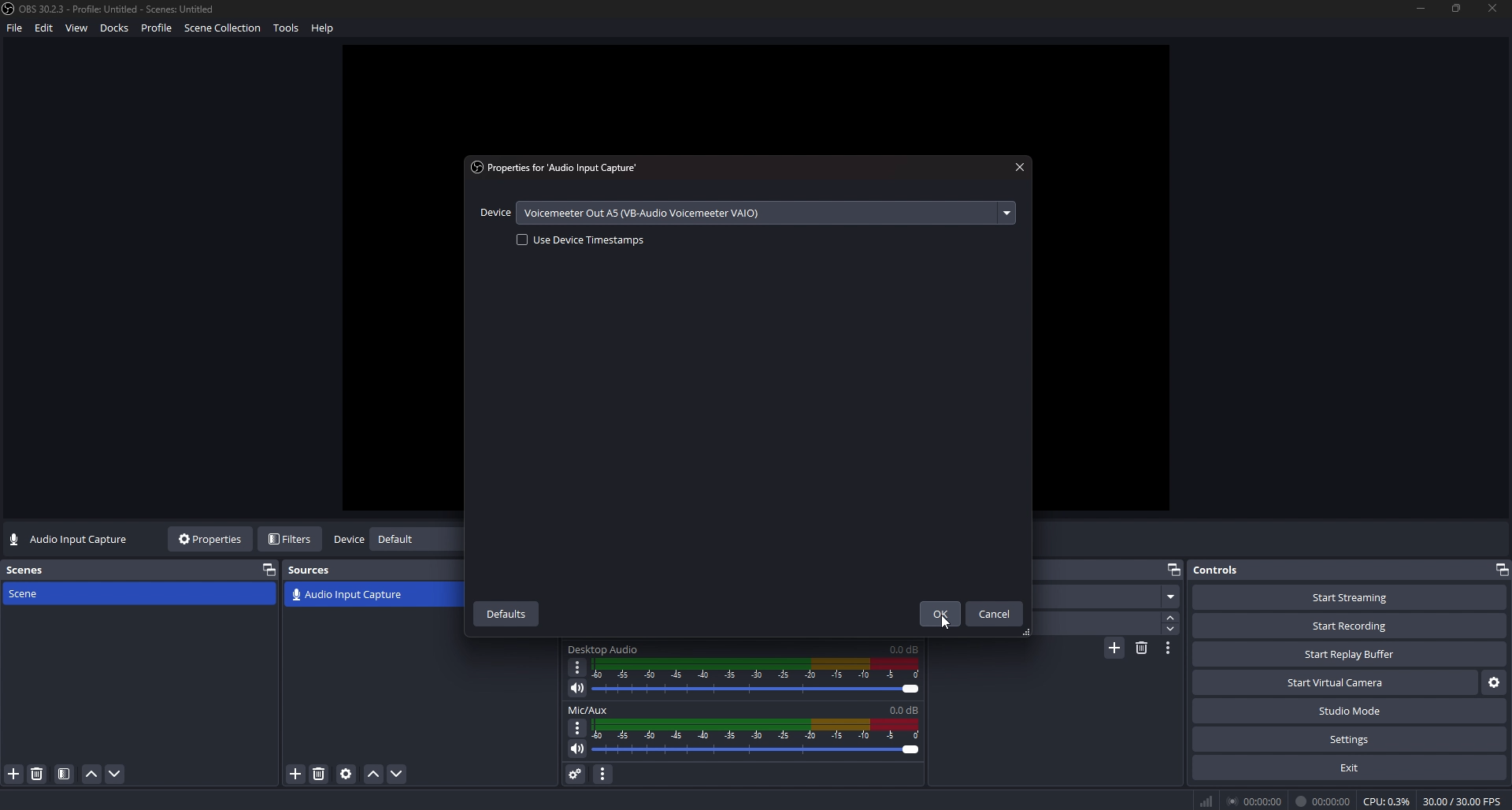  What do you see at coordinates (319, 774) in the screenshot?
I see `remove source` at bounding box center [319, 774].